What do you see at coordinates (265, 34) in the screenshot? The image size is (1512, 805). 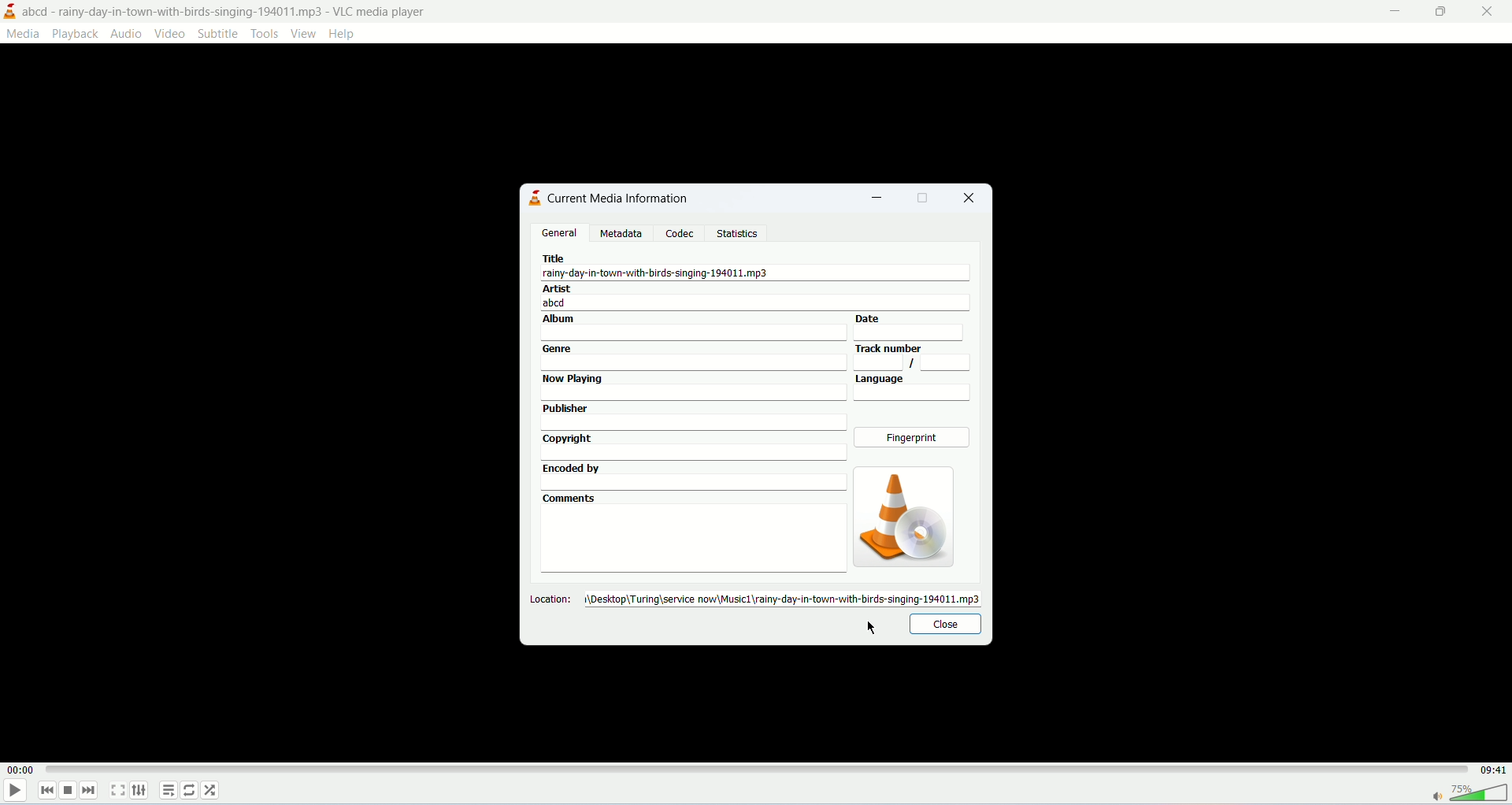 I see `tools` at bounding box center [265, 34].